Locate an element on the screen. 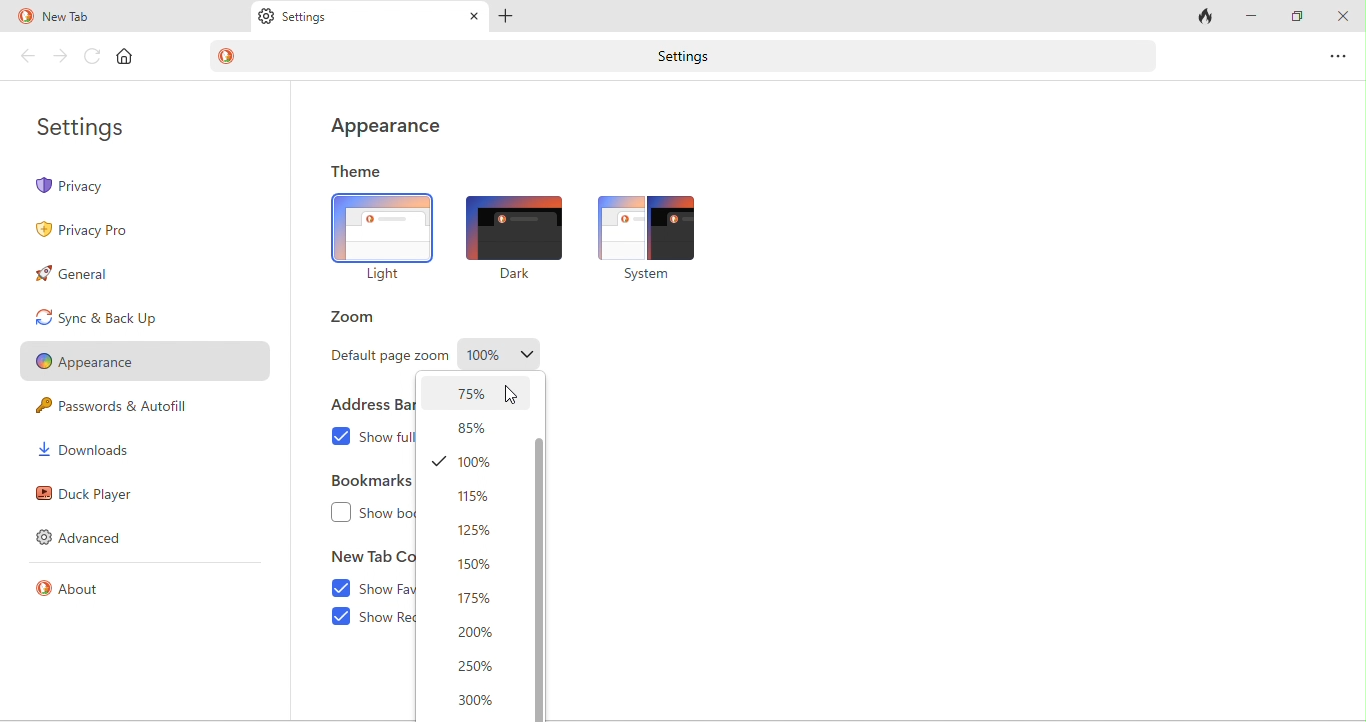  settings is located at coordinates (678, 56).